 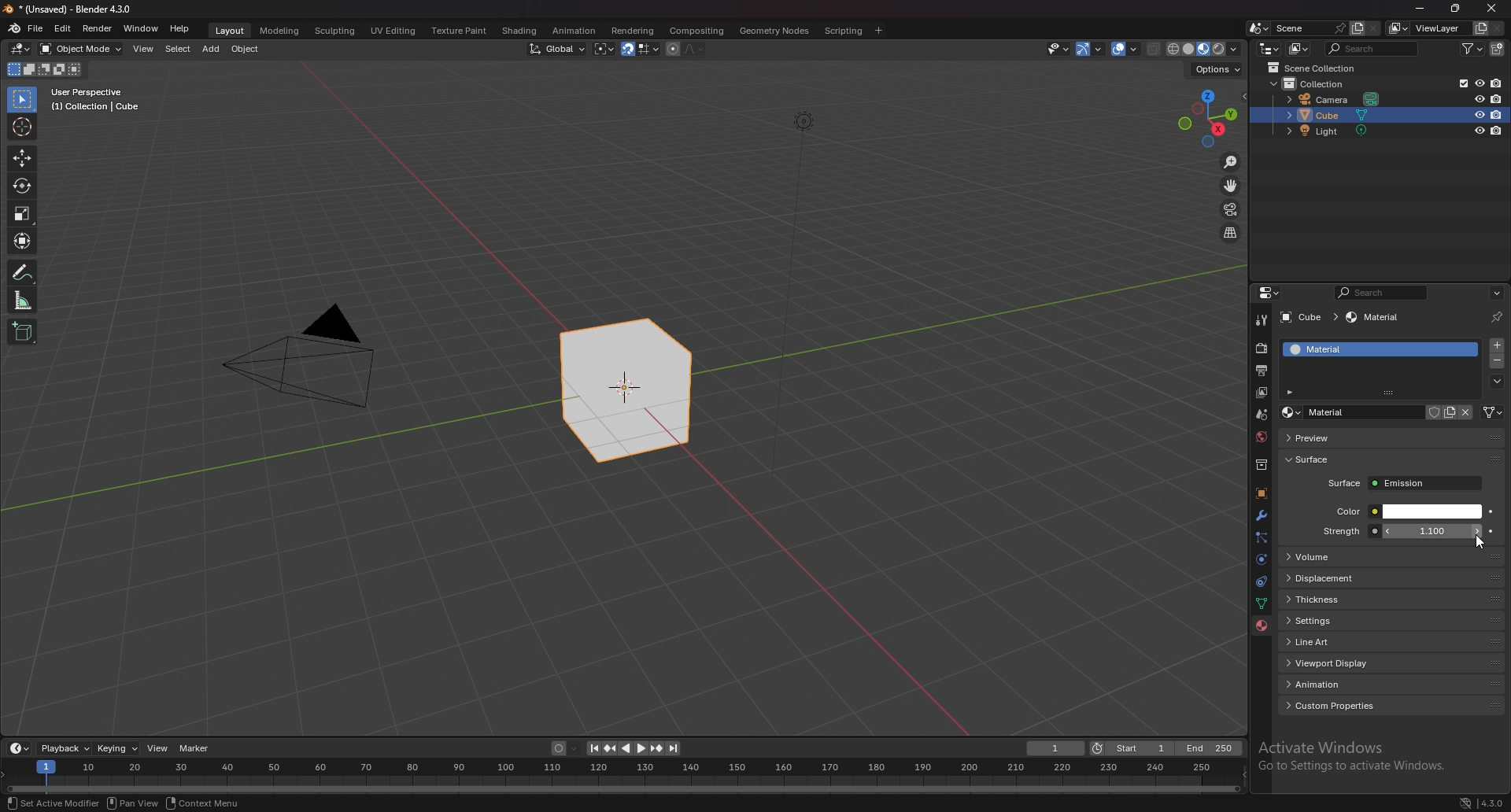 What do you see at coordinates (1232, 186) in the screenshot?
I see `move` at bounding box center [1232, 186].